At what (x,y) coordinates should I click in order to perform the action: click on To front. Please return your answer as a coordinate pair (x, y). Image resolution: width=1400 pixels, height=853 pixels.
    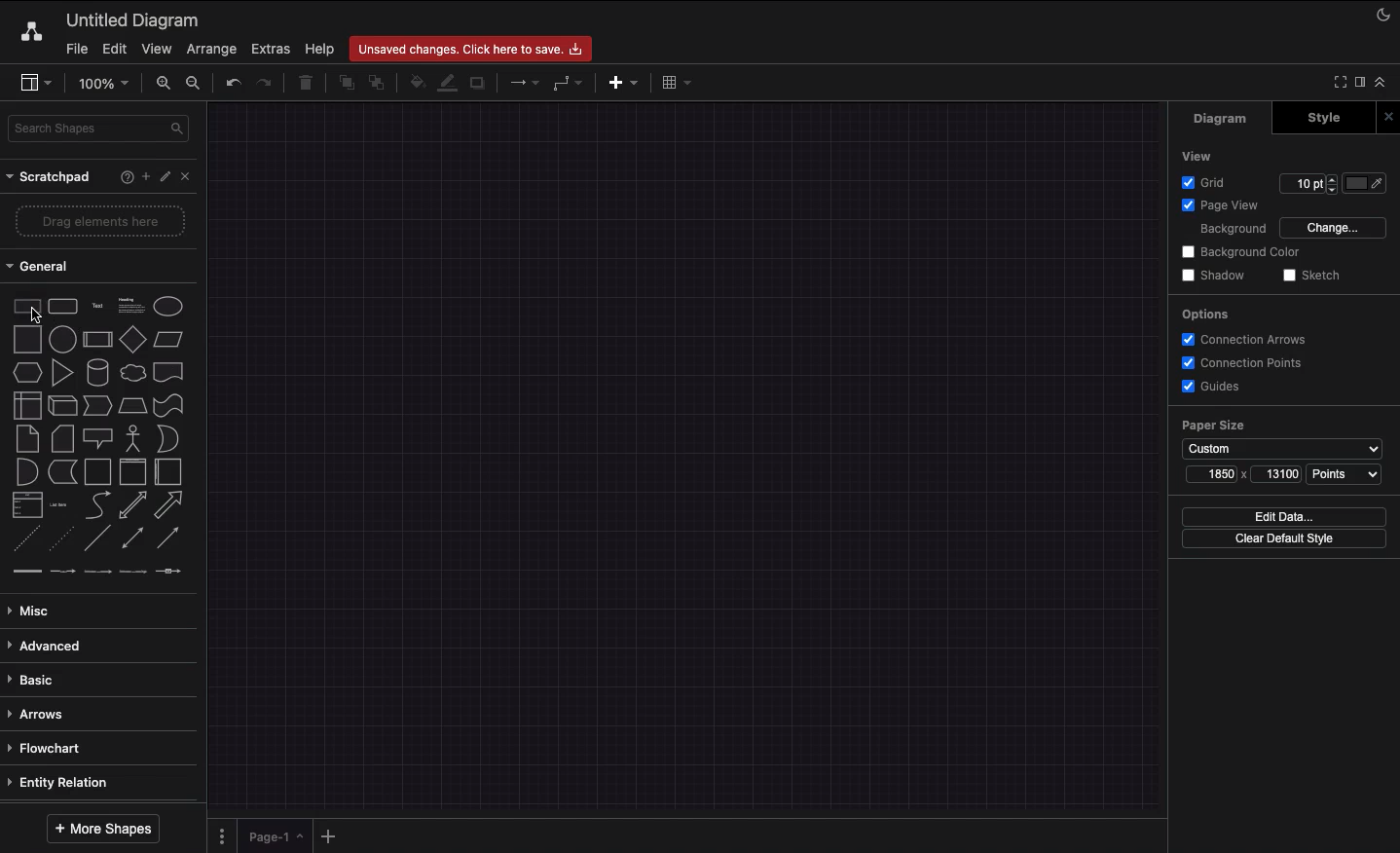
    Looking at the image, I should click on (343, 86).